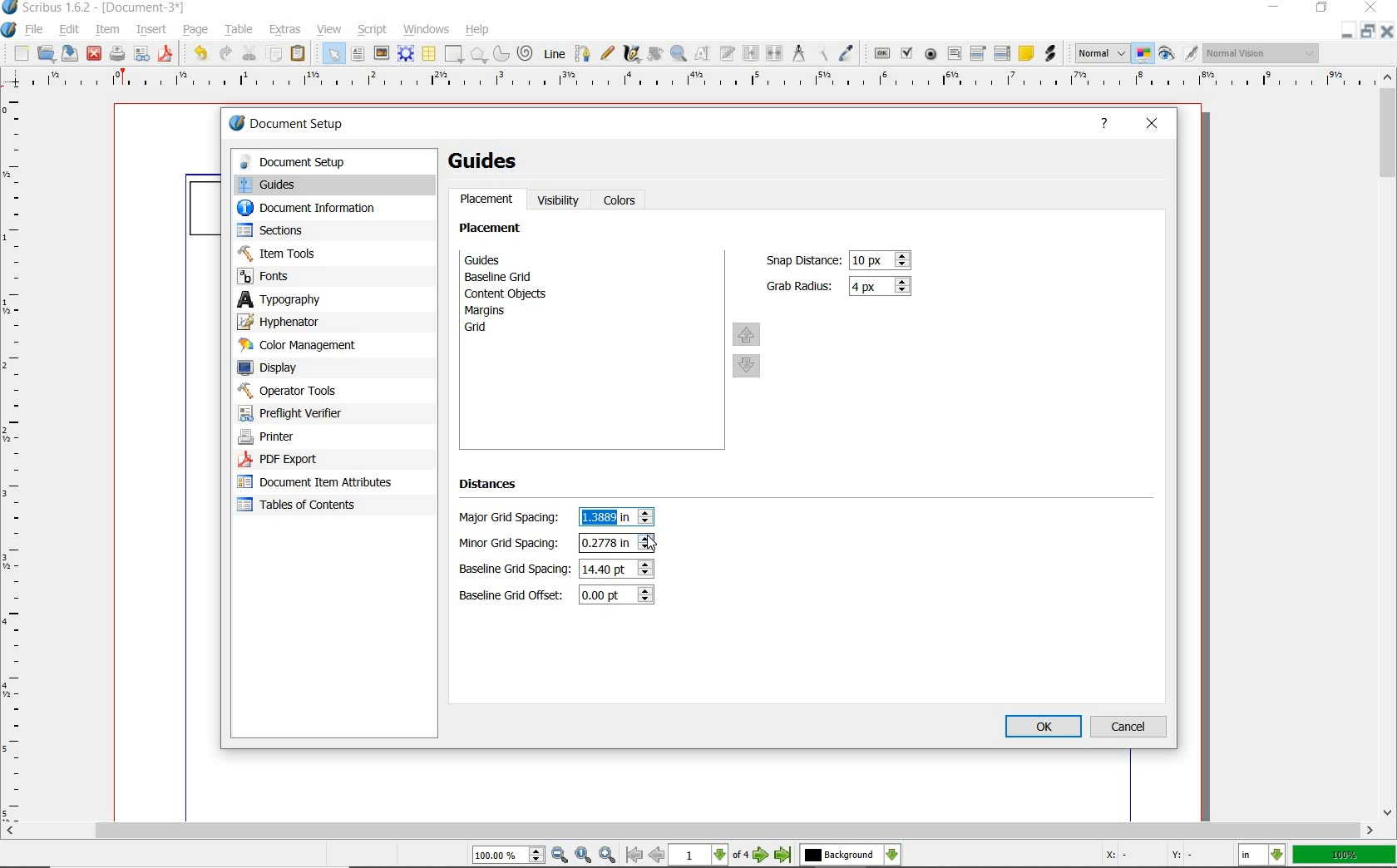 The image size is (1397, 868). What do you see at coordinates (427, 28) in the screenshot?
I see `windows` at bounding box center [427, 28].